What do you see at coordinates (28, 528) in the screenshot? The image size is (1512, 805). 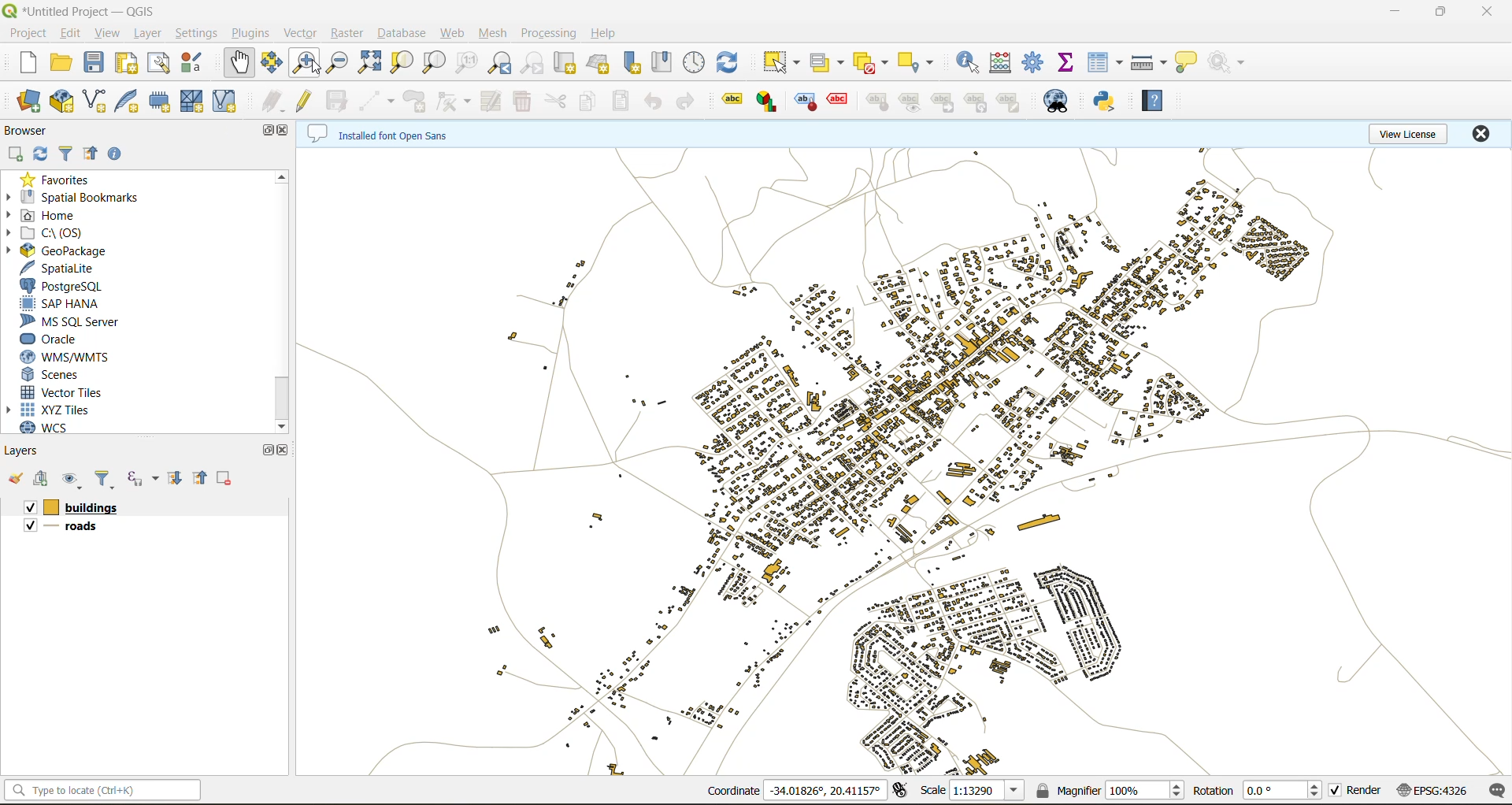 I see `Checkbox` at bounding box center [28, 528].